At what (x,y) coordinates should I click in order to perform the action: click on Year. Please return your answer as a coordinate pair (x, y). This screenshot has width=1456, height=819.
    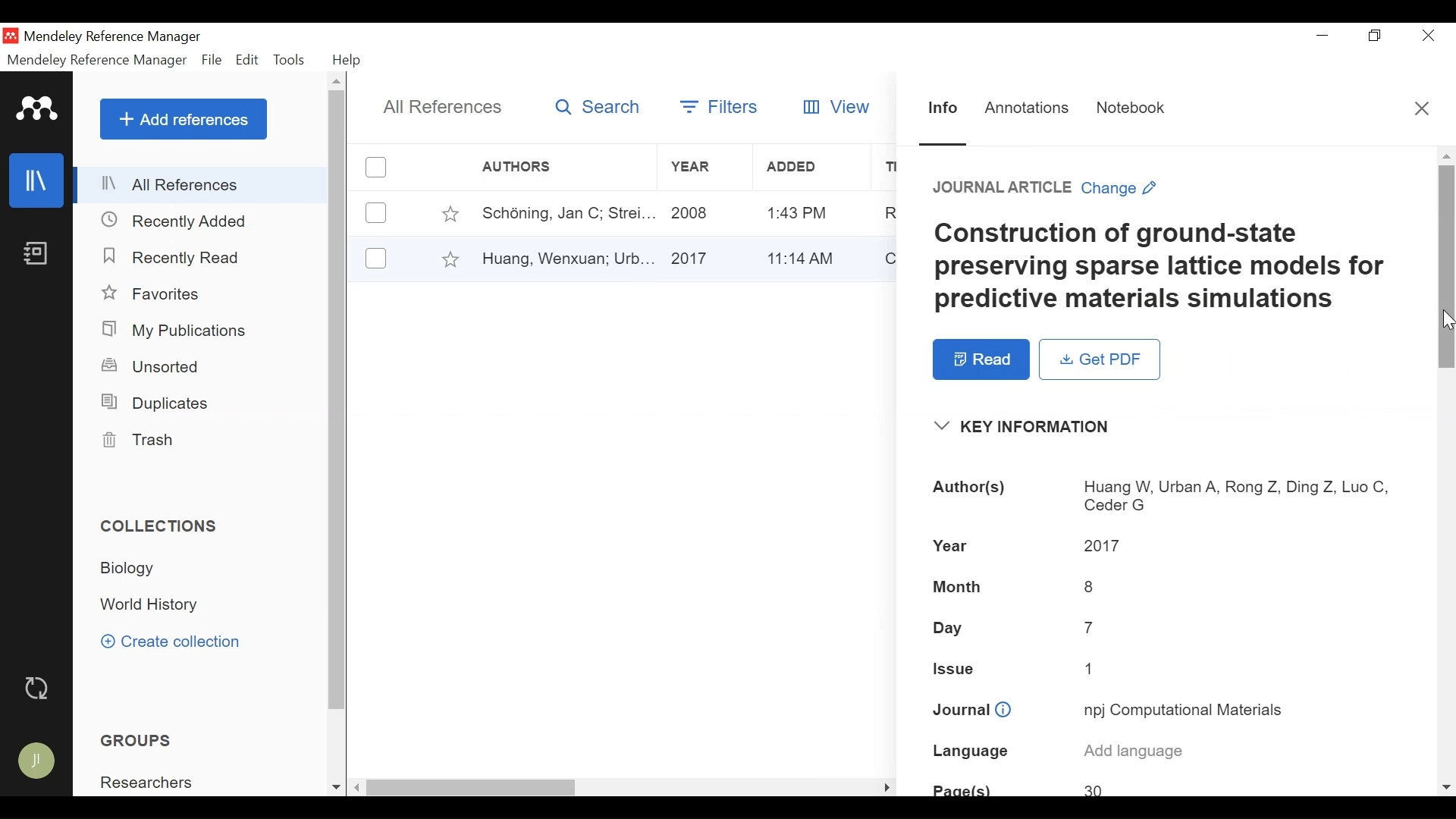
    Looking at the image, I should click on (703, 212).